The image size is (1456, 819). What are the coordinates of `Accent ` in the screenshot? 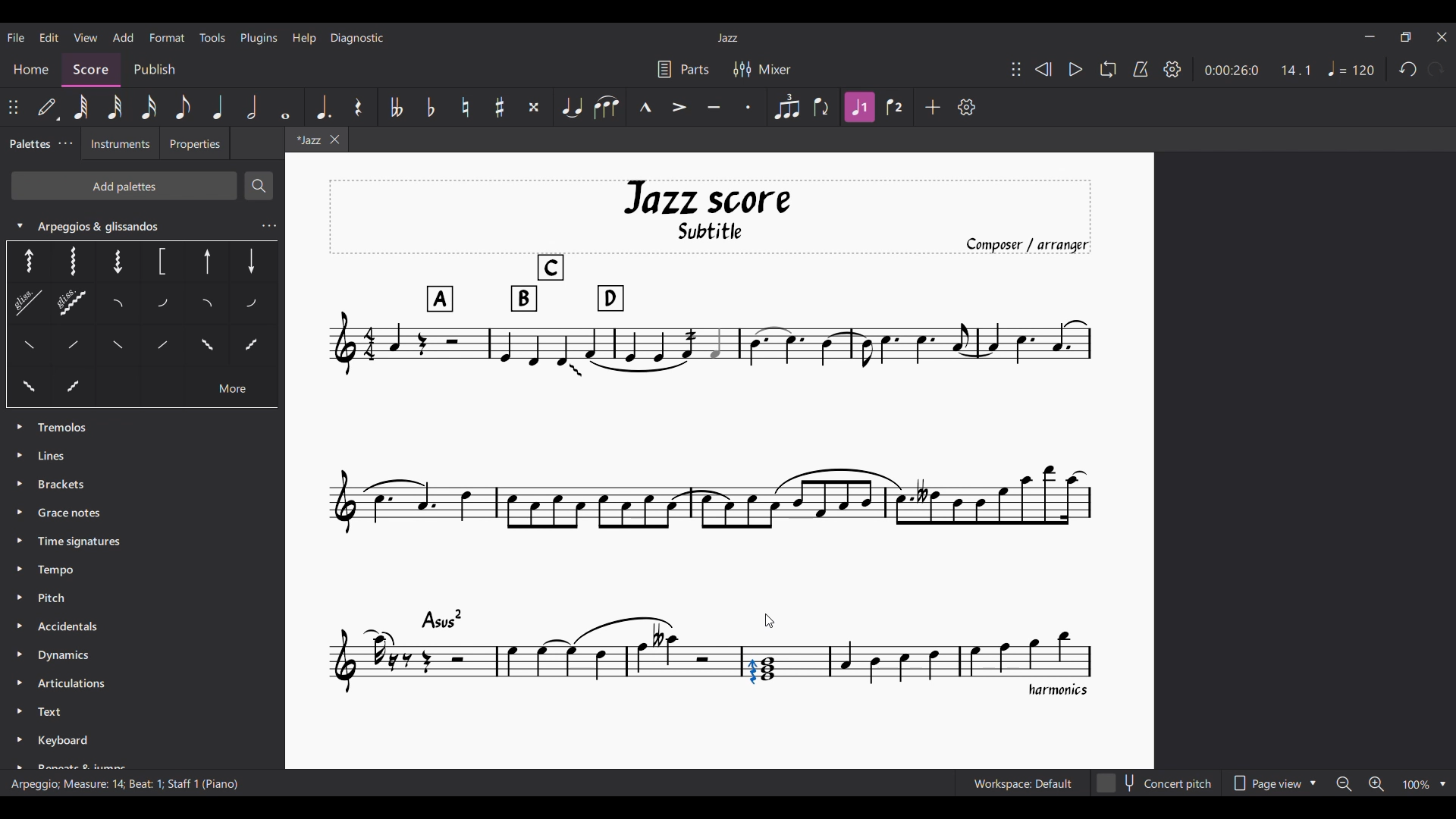 It's located at (679, 107).